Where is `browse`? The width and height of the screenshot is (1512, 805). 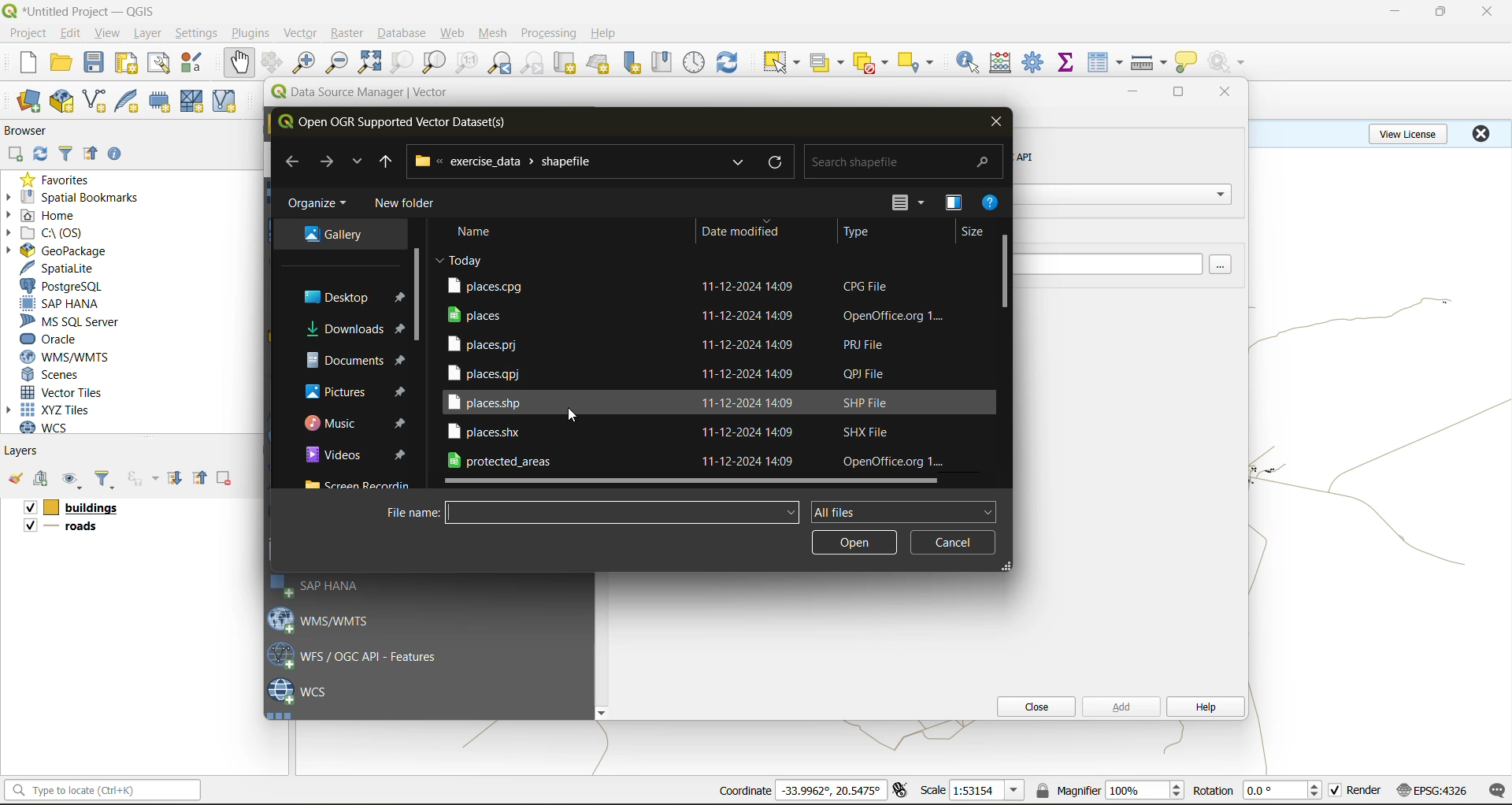
browse is located at coordinates (1225, 265).